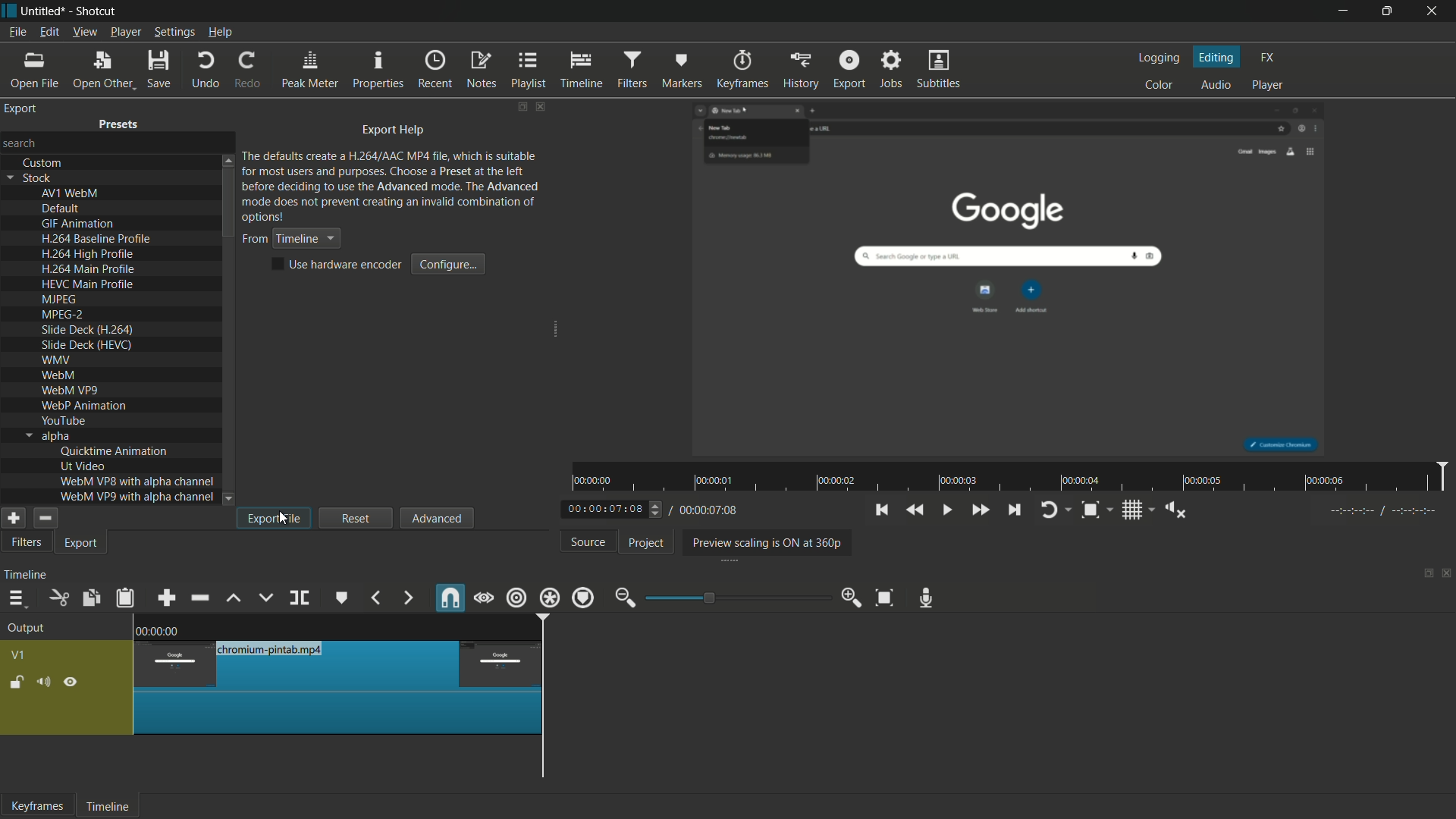  Describe the element at coordinates (42, 684) in the screenshot. I see `mute` at that location.